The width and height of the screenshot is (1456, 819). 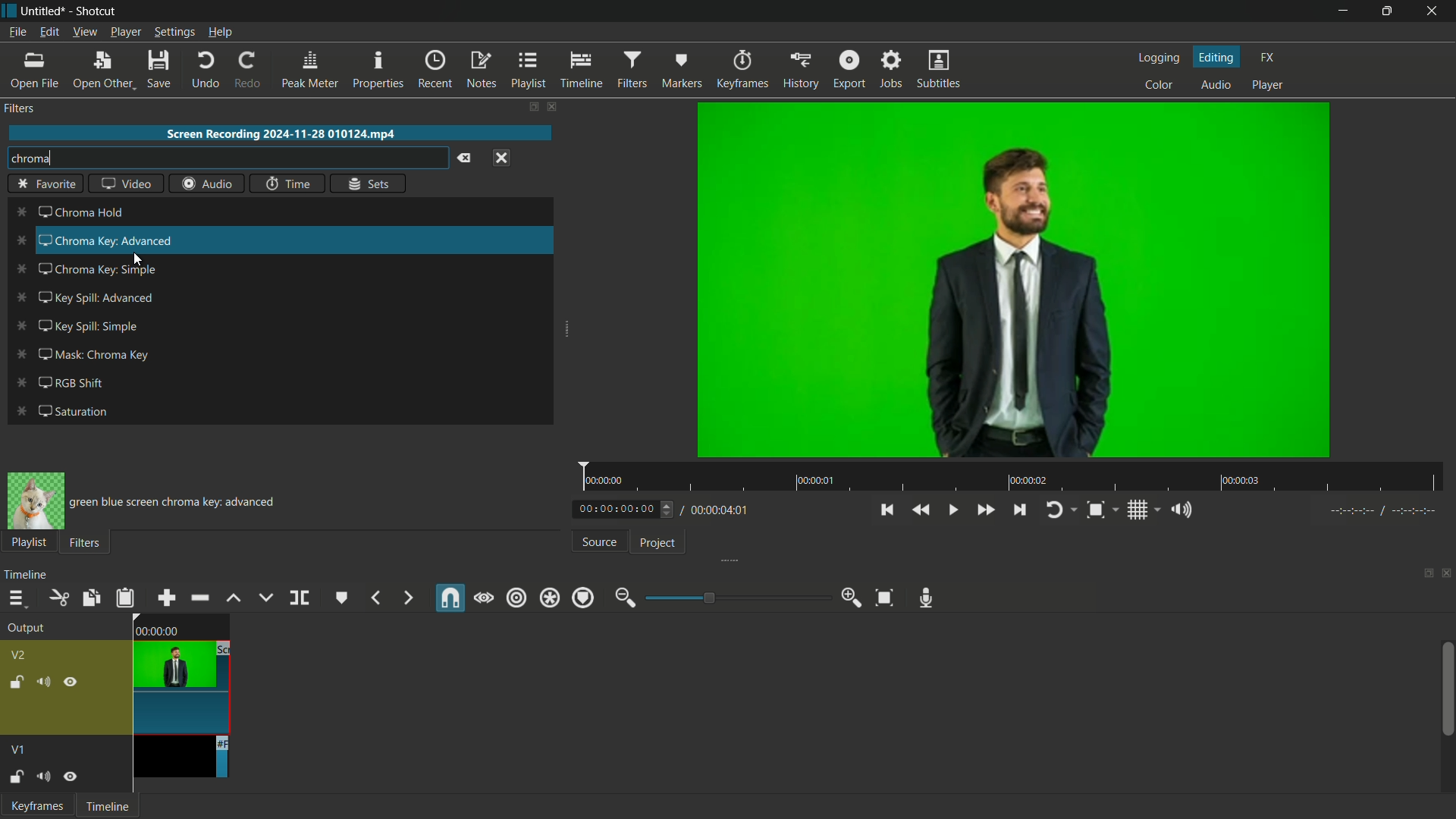 What do you see at coordinates (202, 69) in the screenshot?
I see `undo` at bounding box center [202, 69].